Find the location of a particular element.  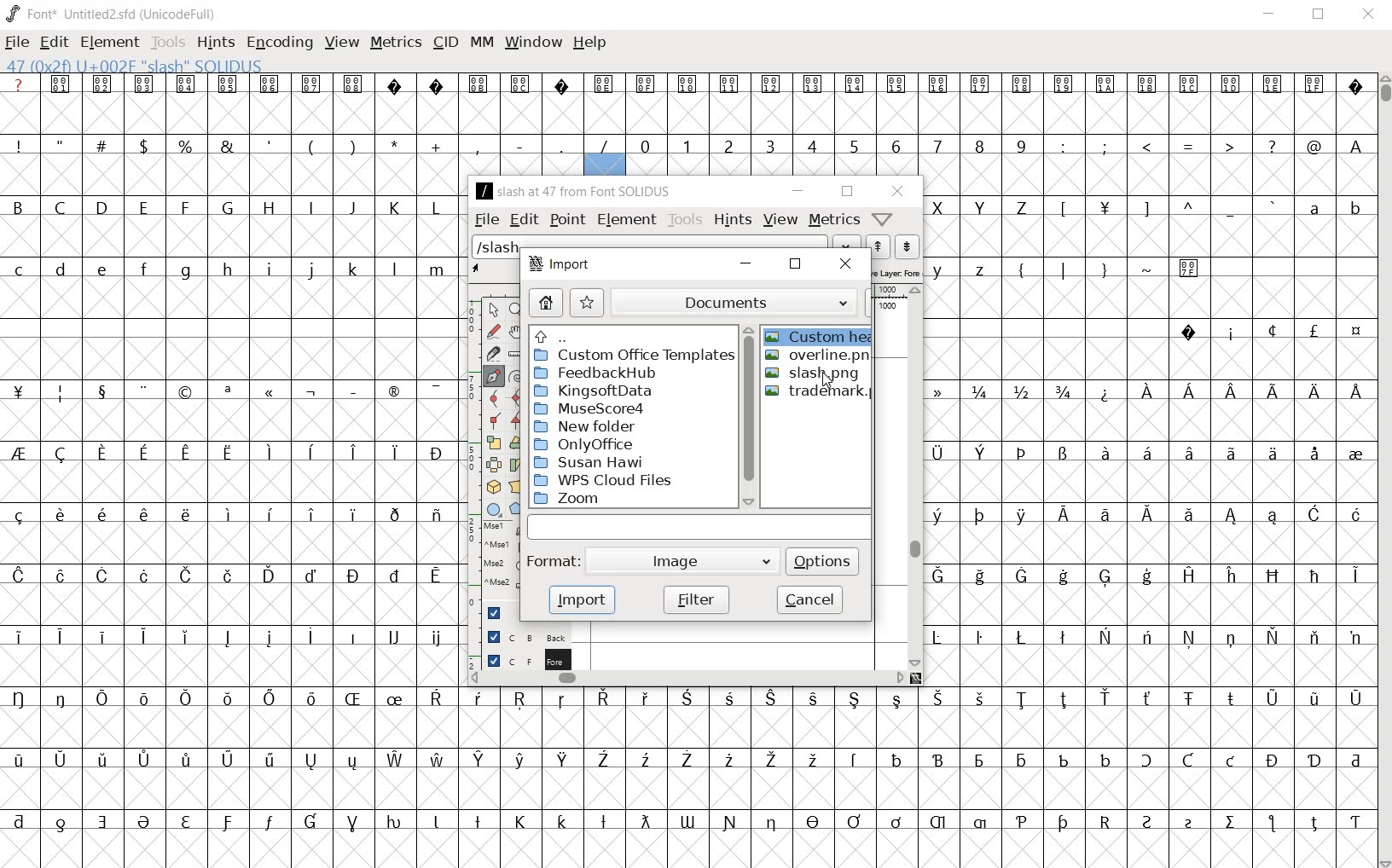

minimize is located at coordinates (745, 263).